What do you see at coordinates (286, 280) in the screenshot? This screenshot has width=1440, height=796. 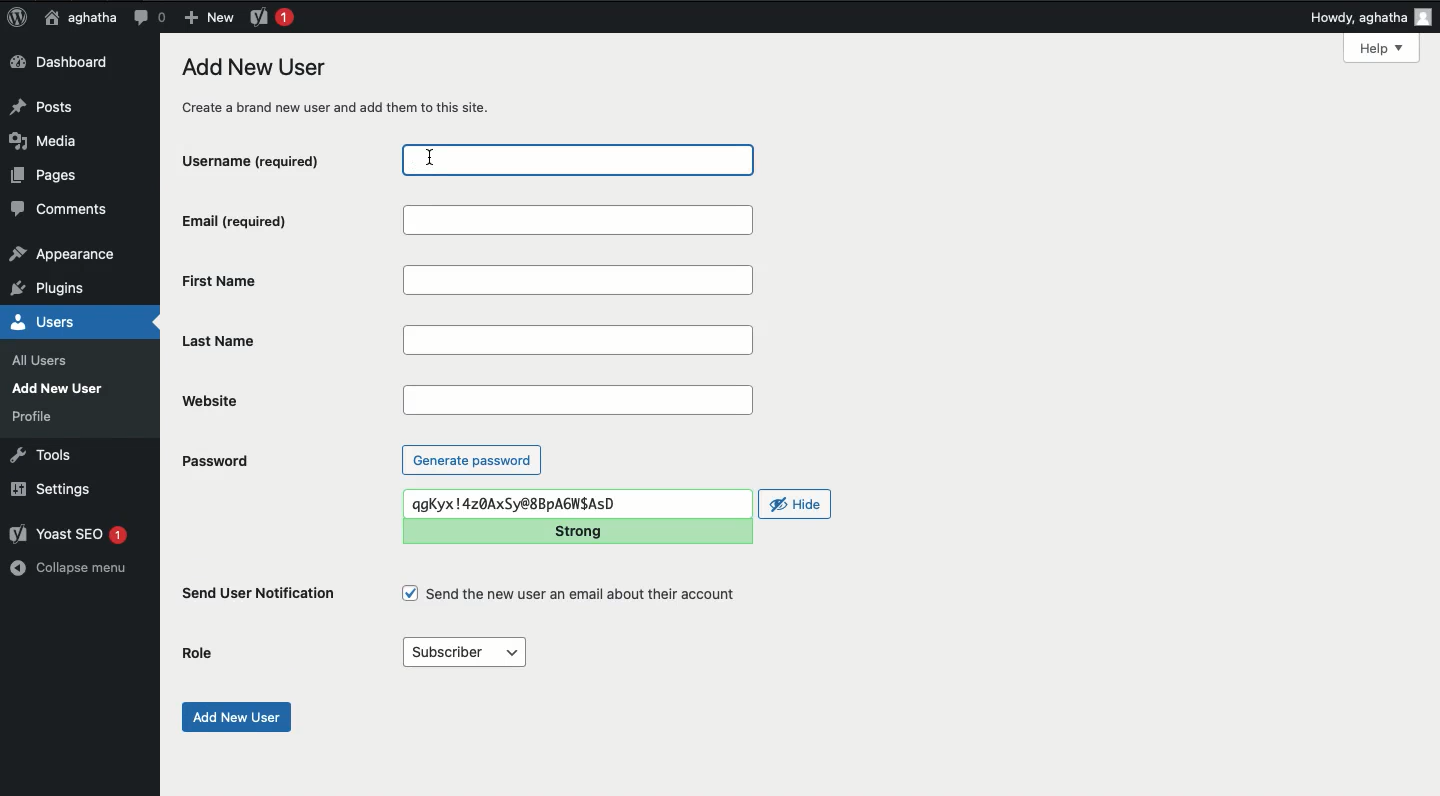 I see `First Name` at bounding box center [286, 280].